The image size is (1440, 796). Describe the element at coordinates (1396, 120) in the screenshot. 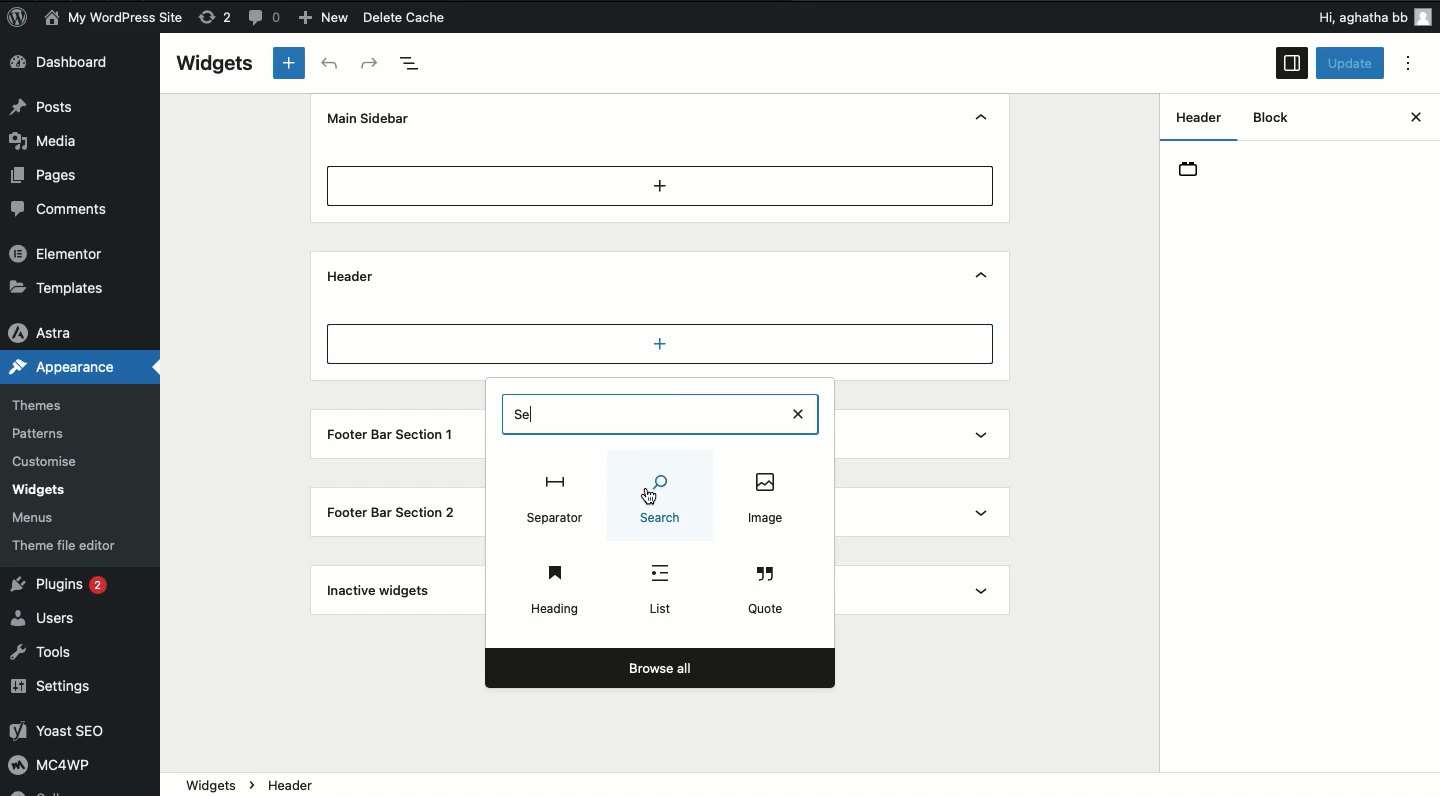

I see `Close` at that location.